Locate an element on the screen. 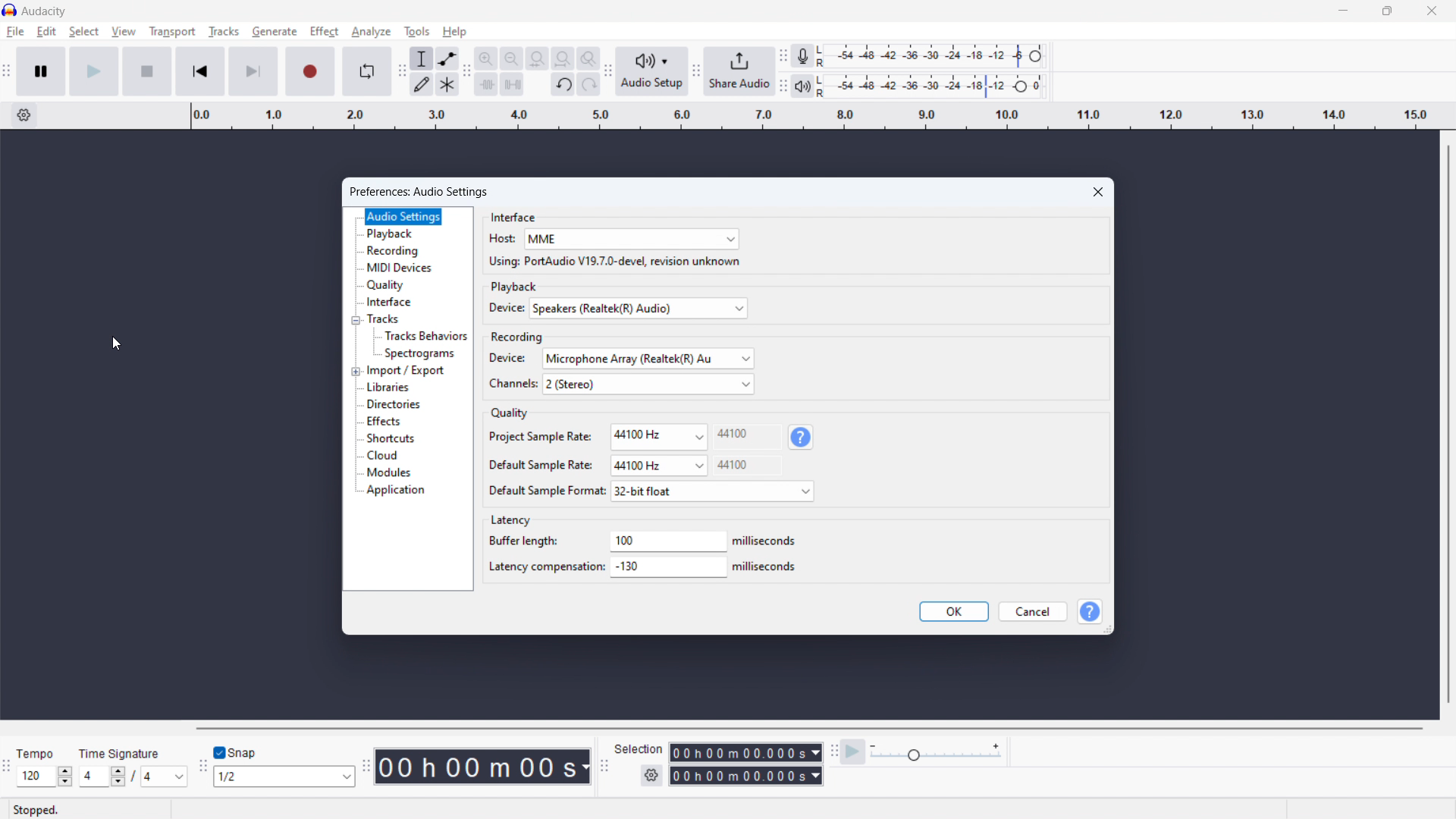  Vertical scroll bar is located at coordinates (1446, 426).